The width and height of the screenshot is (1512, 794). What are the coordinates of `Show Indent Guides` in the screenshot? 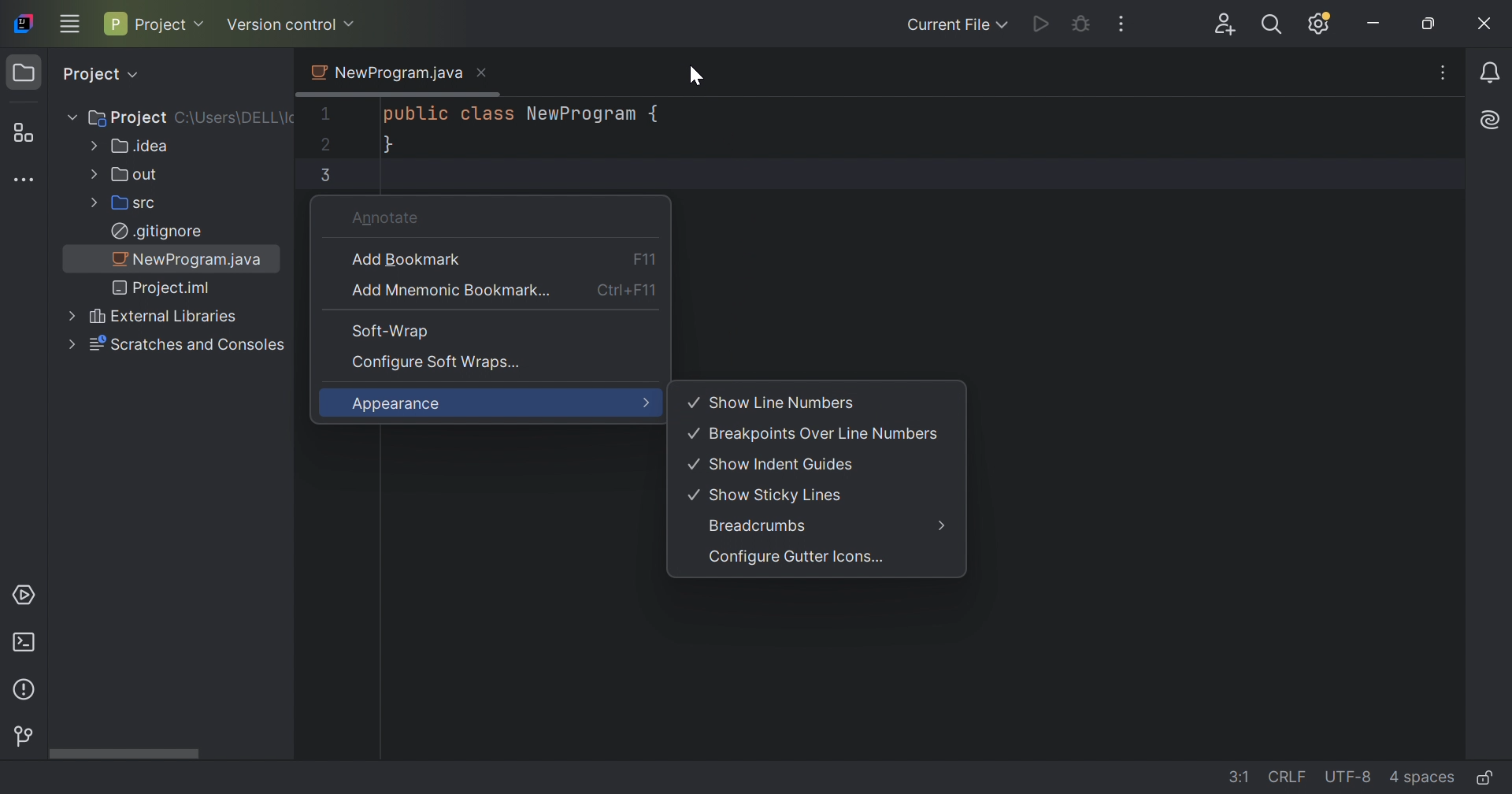 It's located at (774, 463).